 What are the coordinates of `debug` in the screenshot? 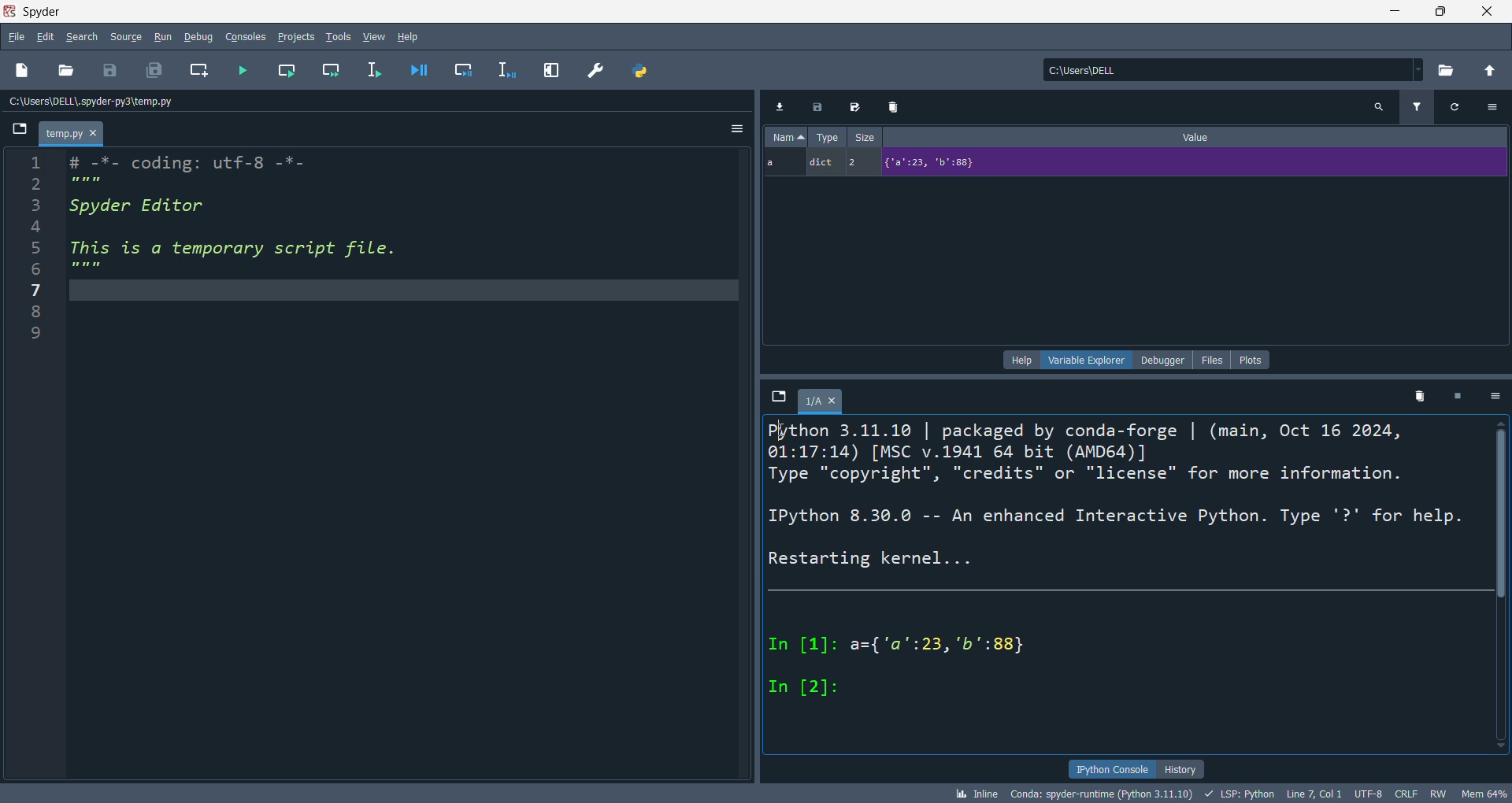 It's located at (201, 35).